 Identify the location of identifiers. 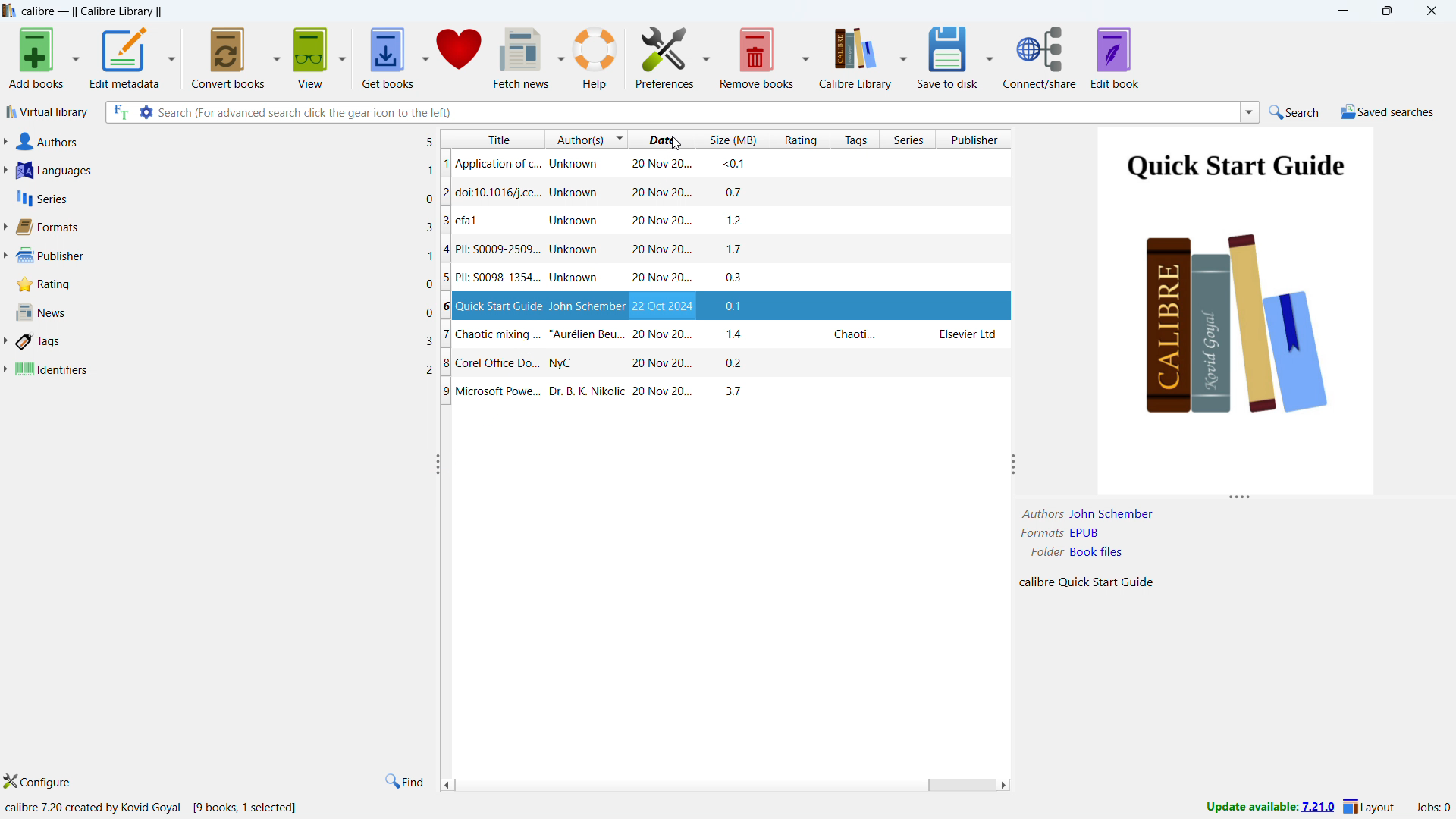
(224, 370).